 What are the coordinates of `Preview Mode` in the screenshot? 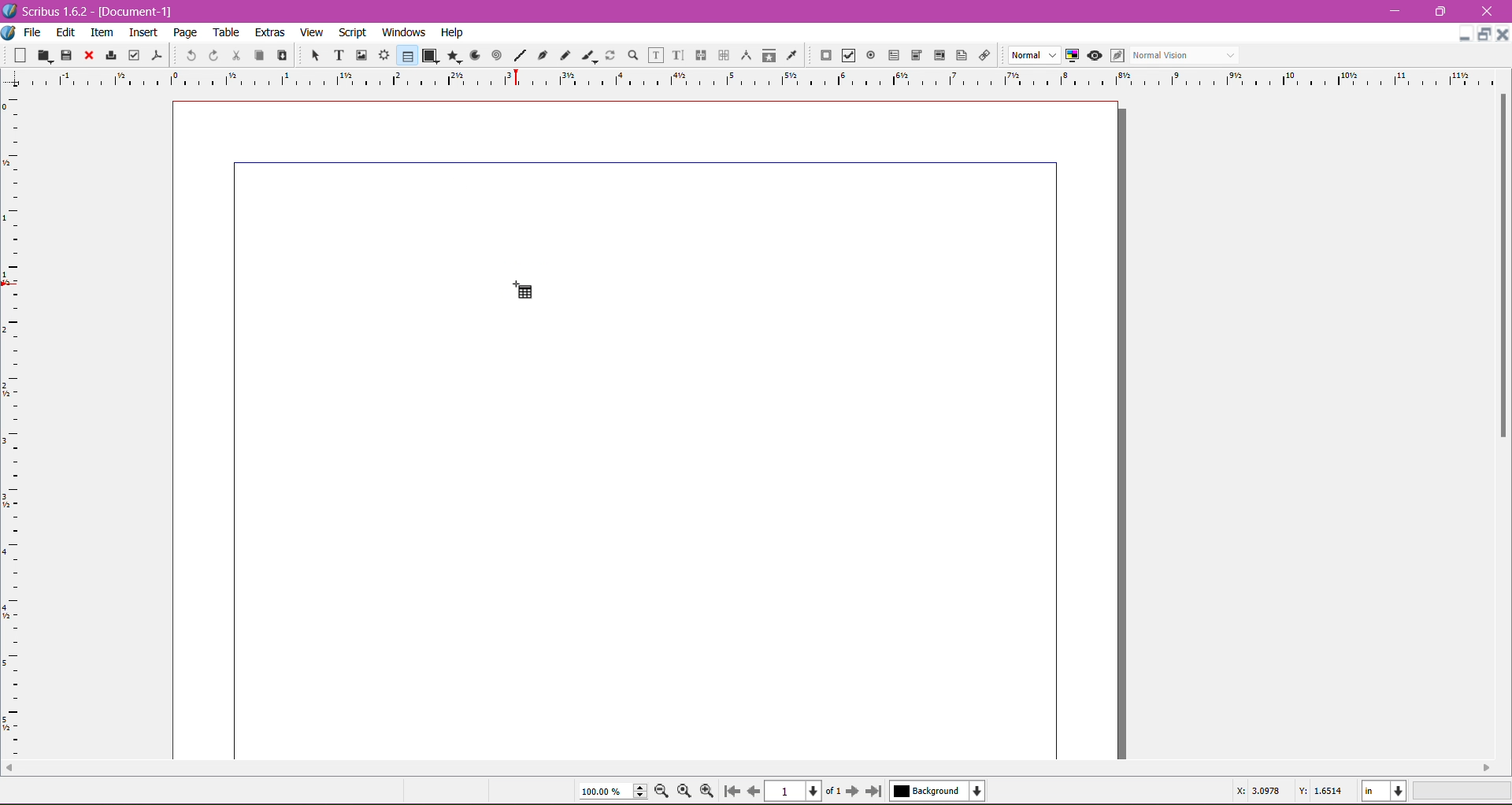 It's located at (1094, 55).